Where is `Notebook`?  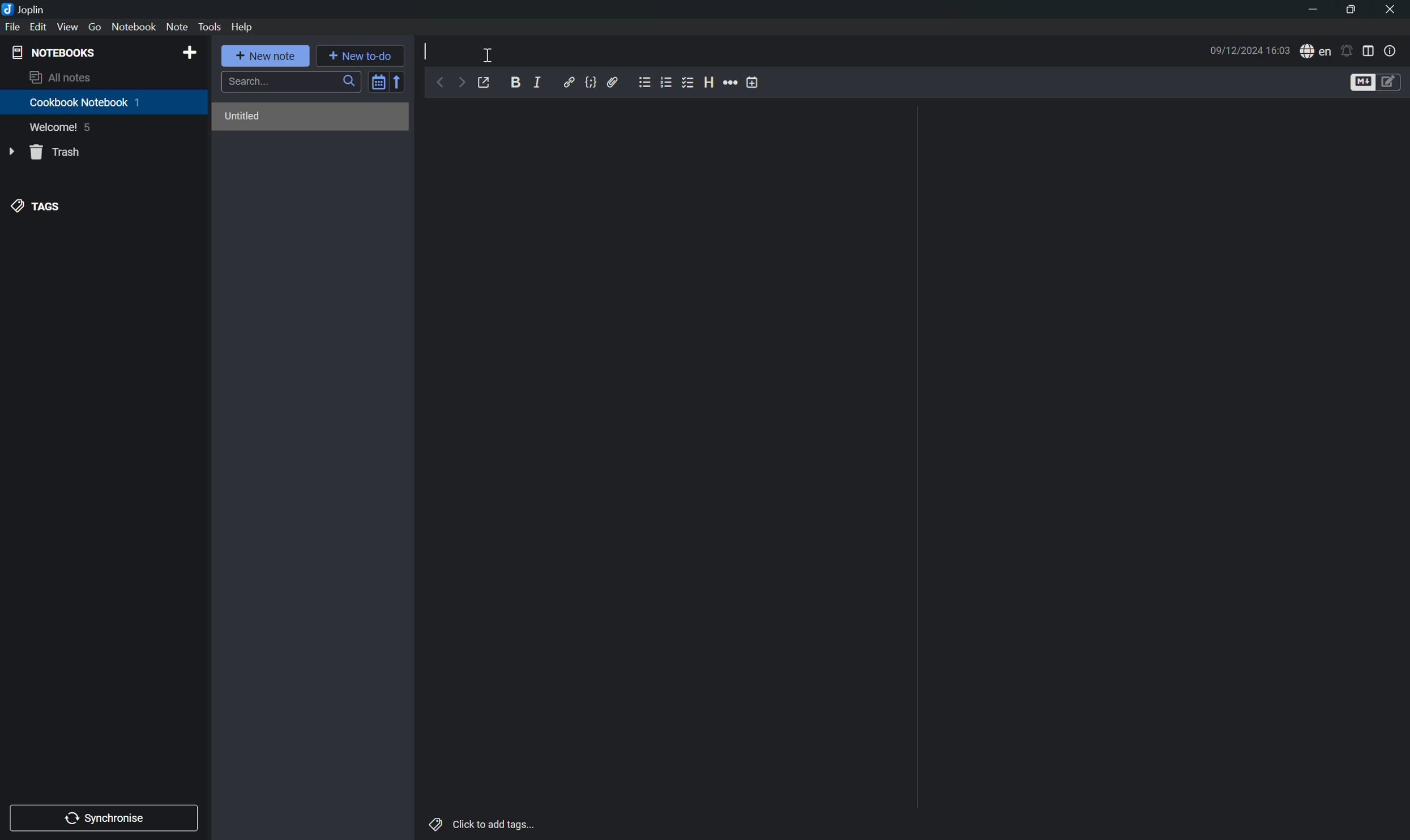 Notebook is located at coordinates (134, 27).